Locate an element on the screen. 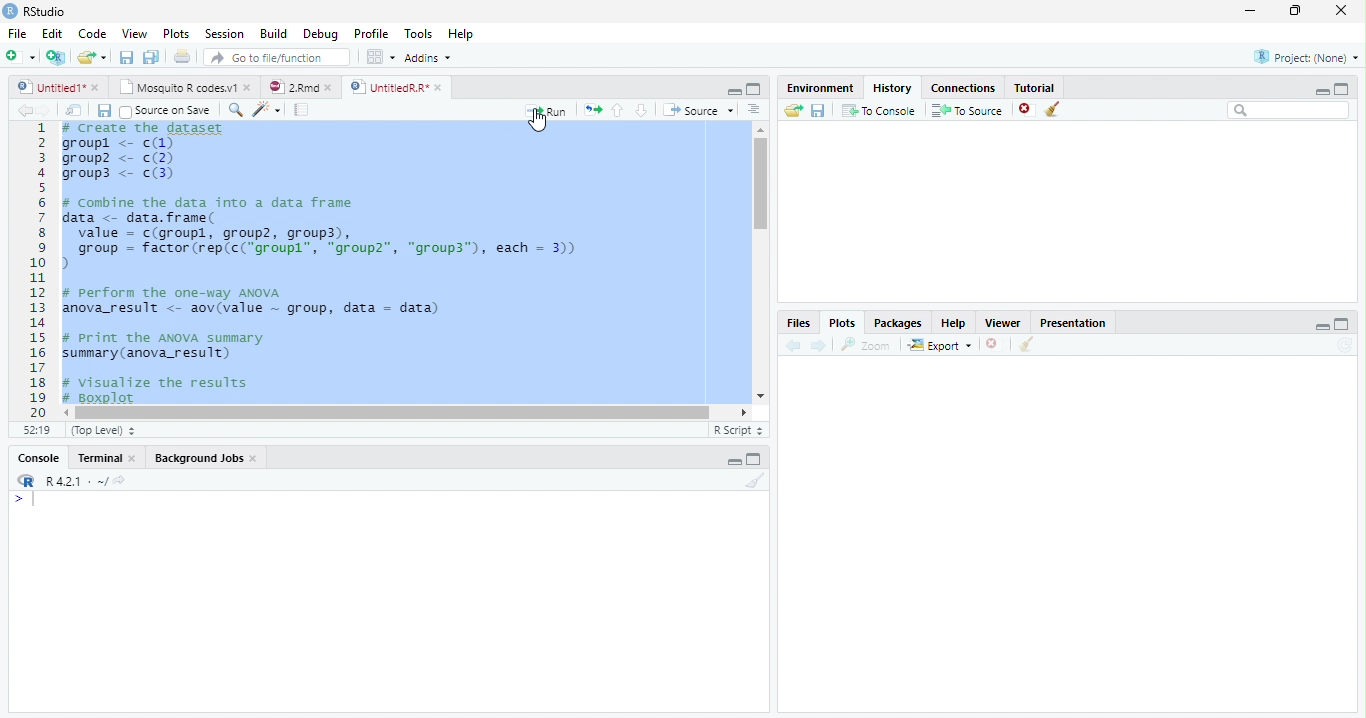  Profile is located at coordinates (370, 34).